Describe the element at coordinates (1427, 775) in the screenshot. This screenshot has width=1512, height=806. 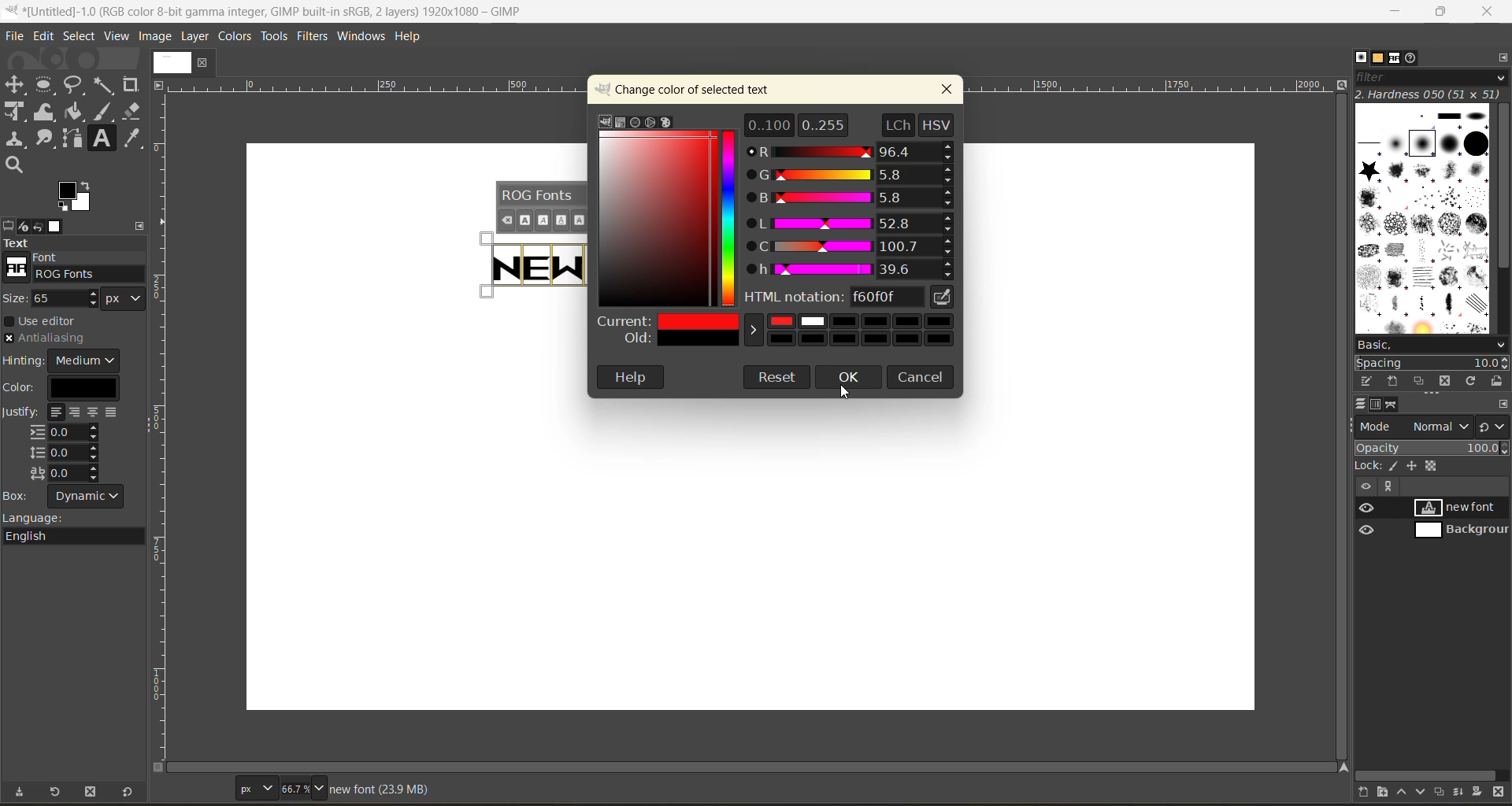
I see `horizontal scroll bar` at that location.